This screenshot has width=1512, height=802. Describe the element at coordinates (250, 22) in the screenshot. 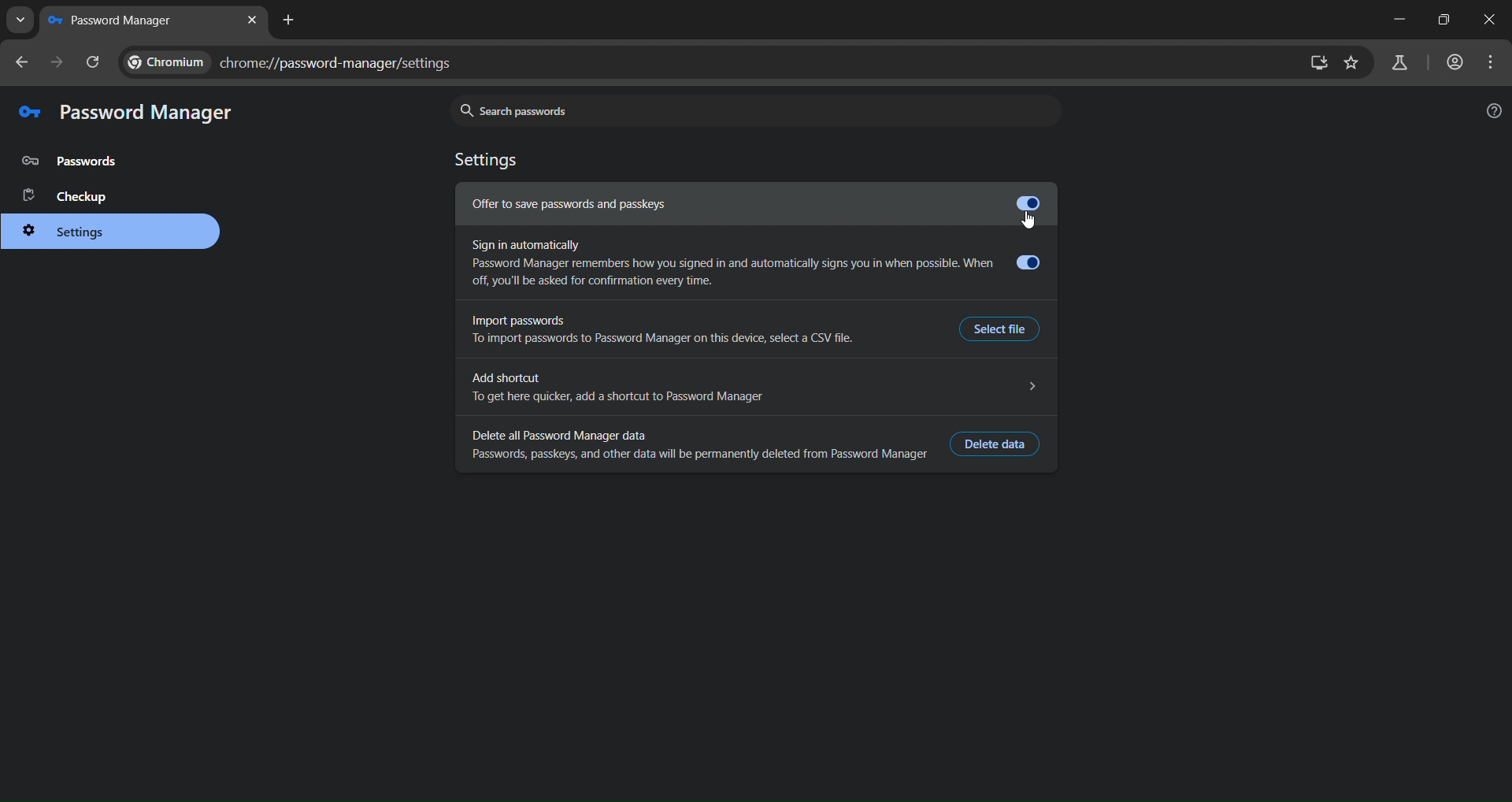

I see `new tab` at that location.